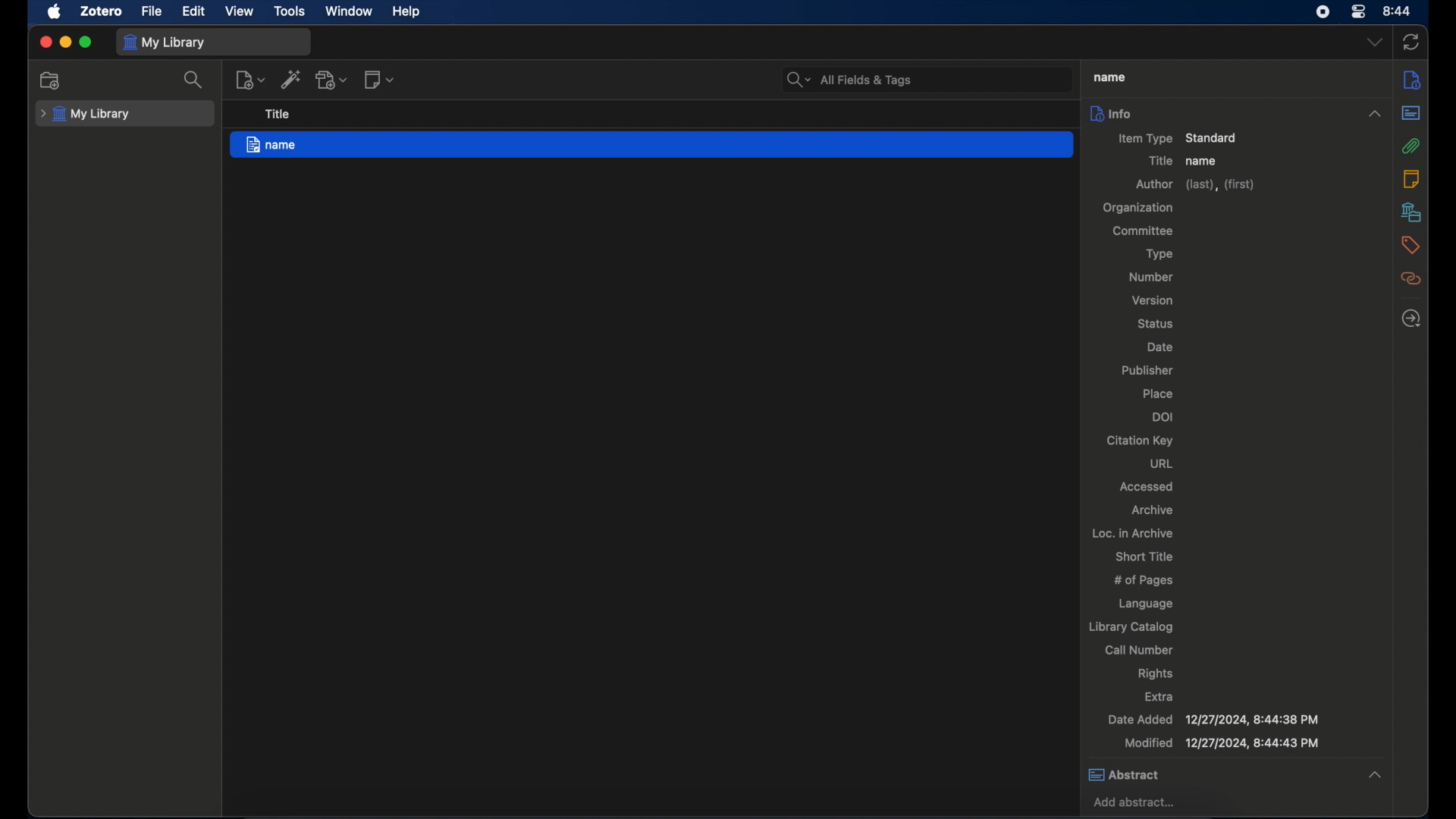 The width and height of the screenshot is (1456, 819). Describe the element at coordinates (67, 42) in the screenshot. I see `minimize` at that location.